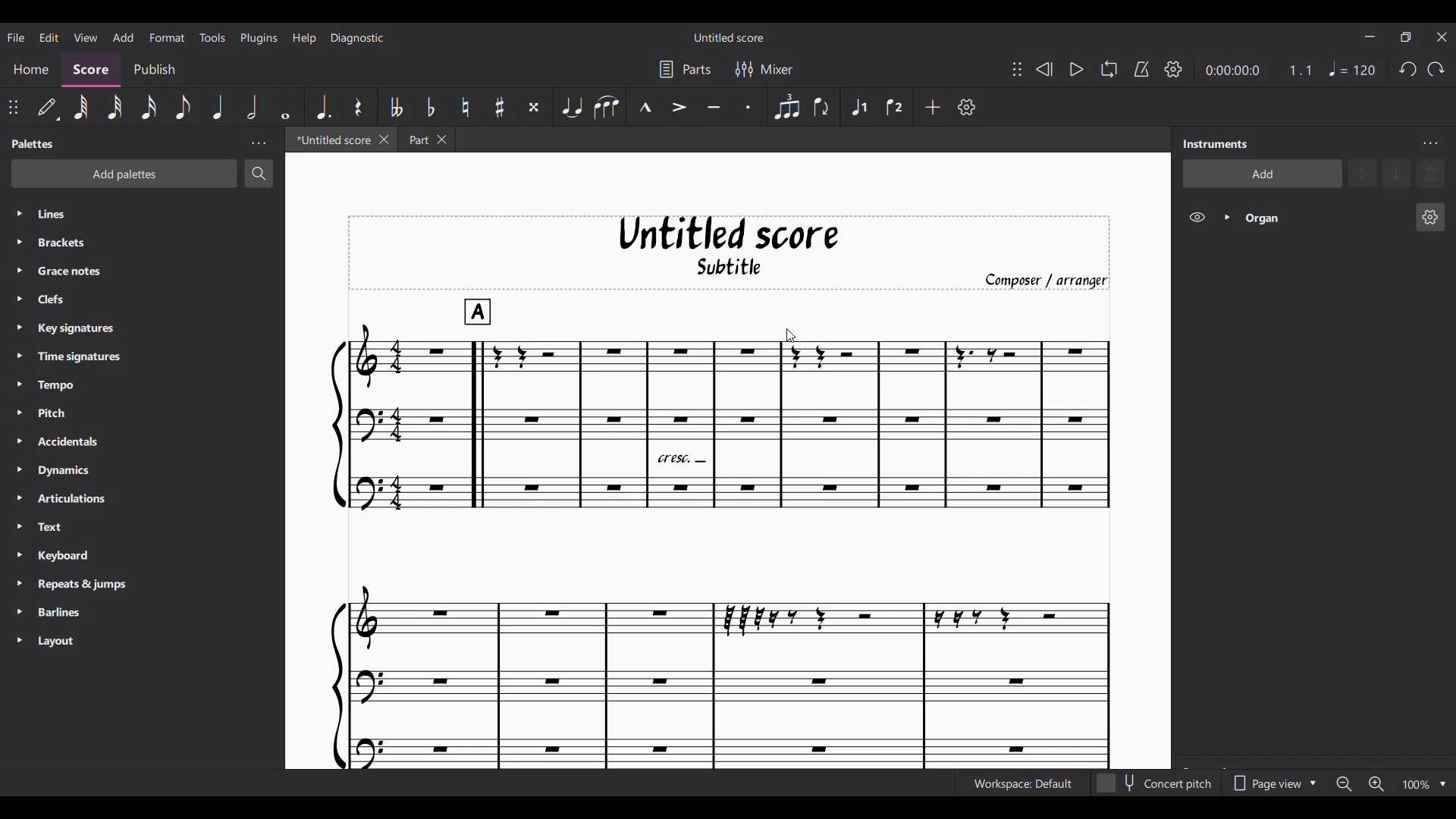 Image resolution: width=1456 pixels, height=819 pixels. I want to click on Parts settings, so click(685, 70).